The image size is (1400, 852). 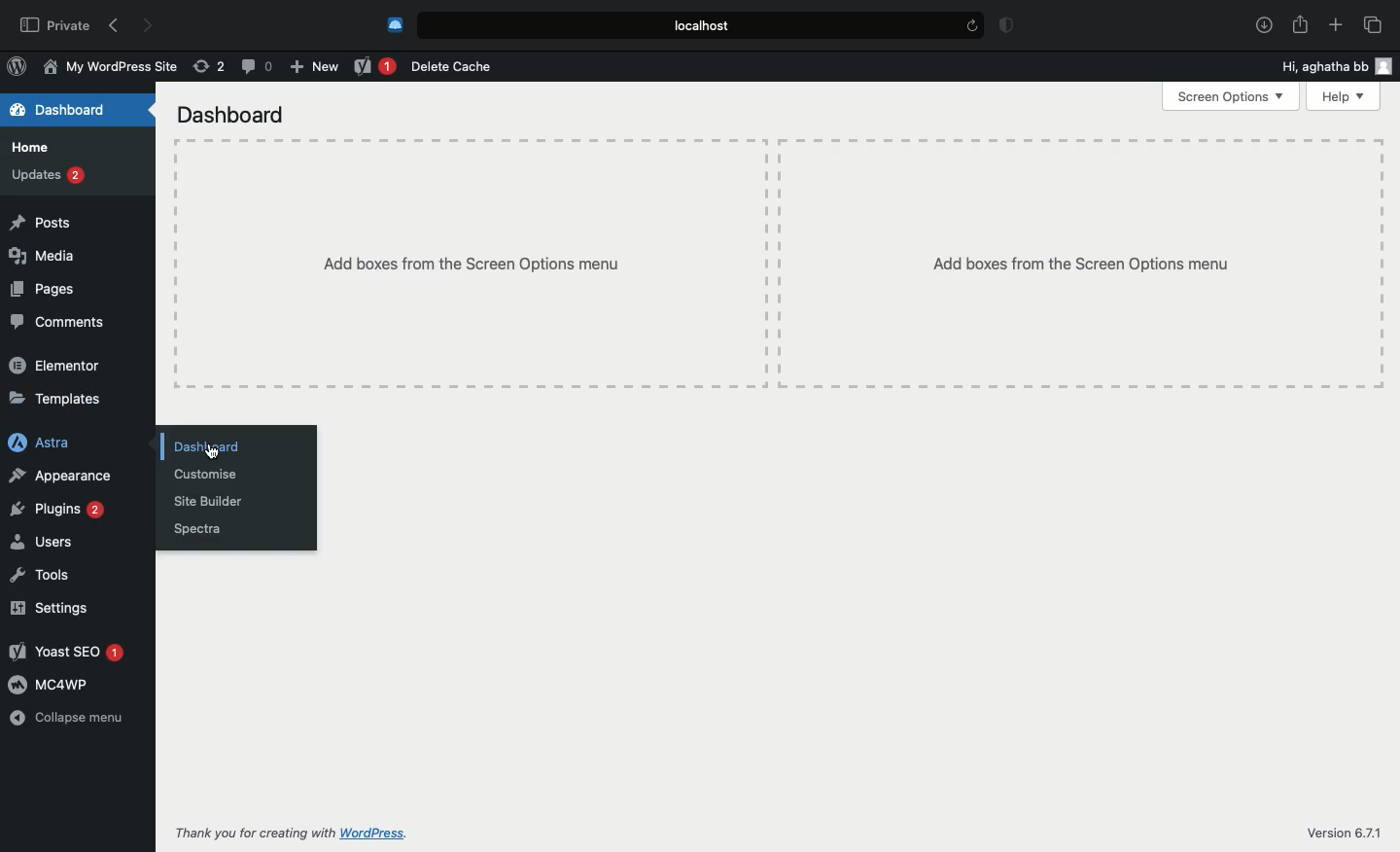 I want to click on Dashboard, so click(x=216, y=444).